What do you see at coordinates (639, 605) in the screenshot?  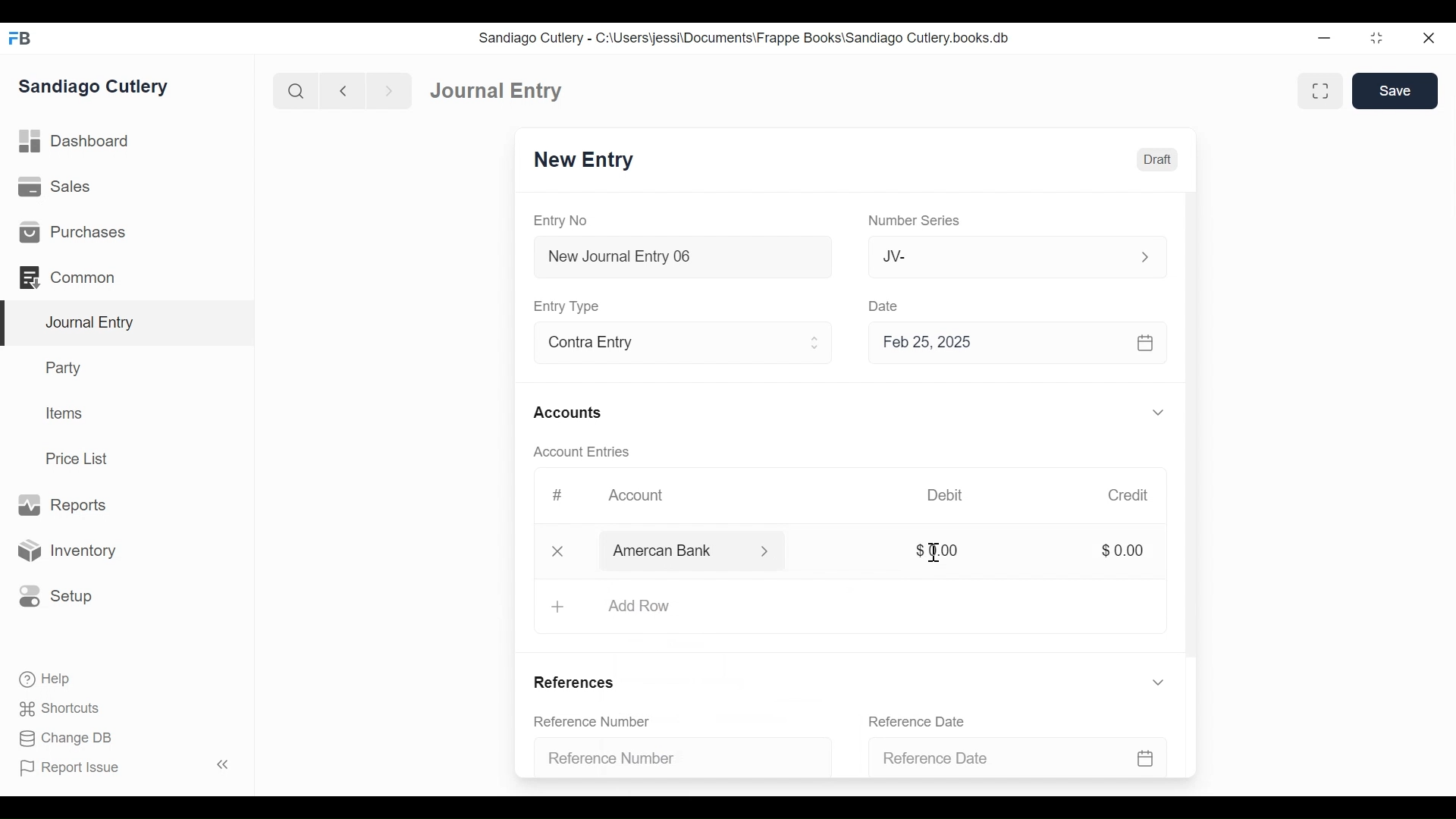 I see `Add Row` at bounding box center [639, 605].